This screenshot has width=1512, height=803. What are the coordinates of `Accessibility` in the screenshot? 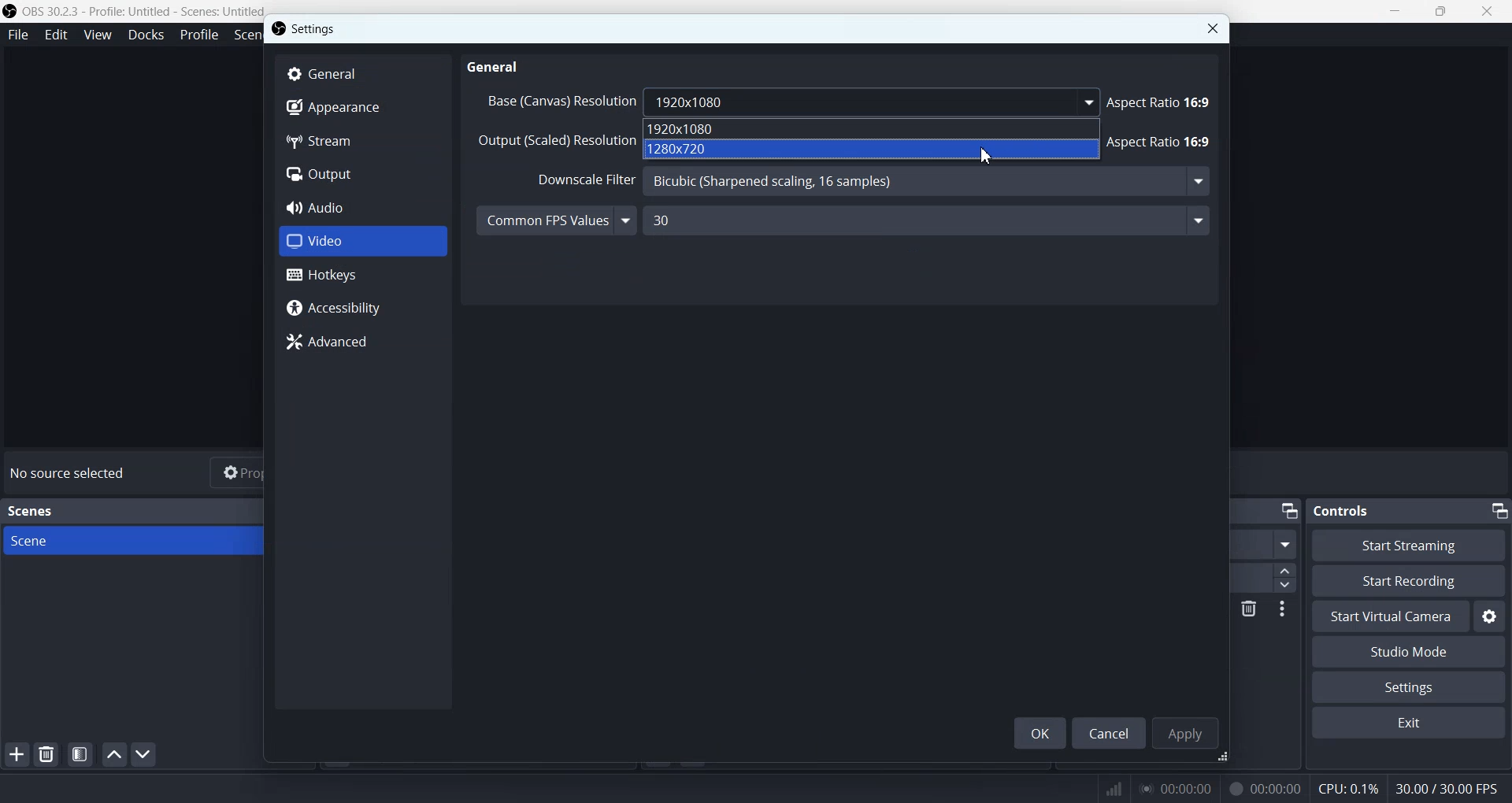 It's located at (364, 307).